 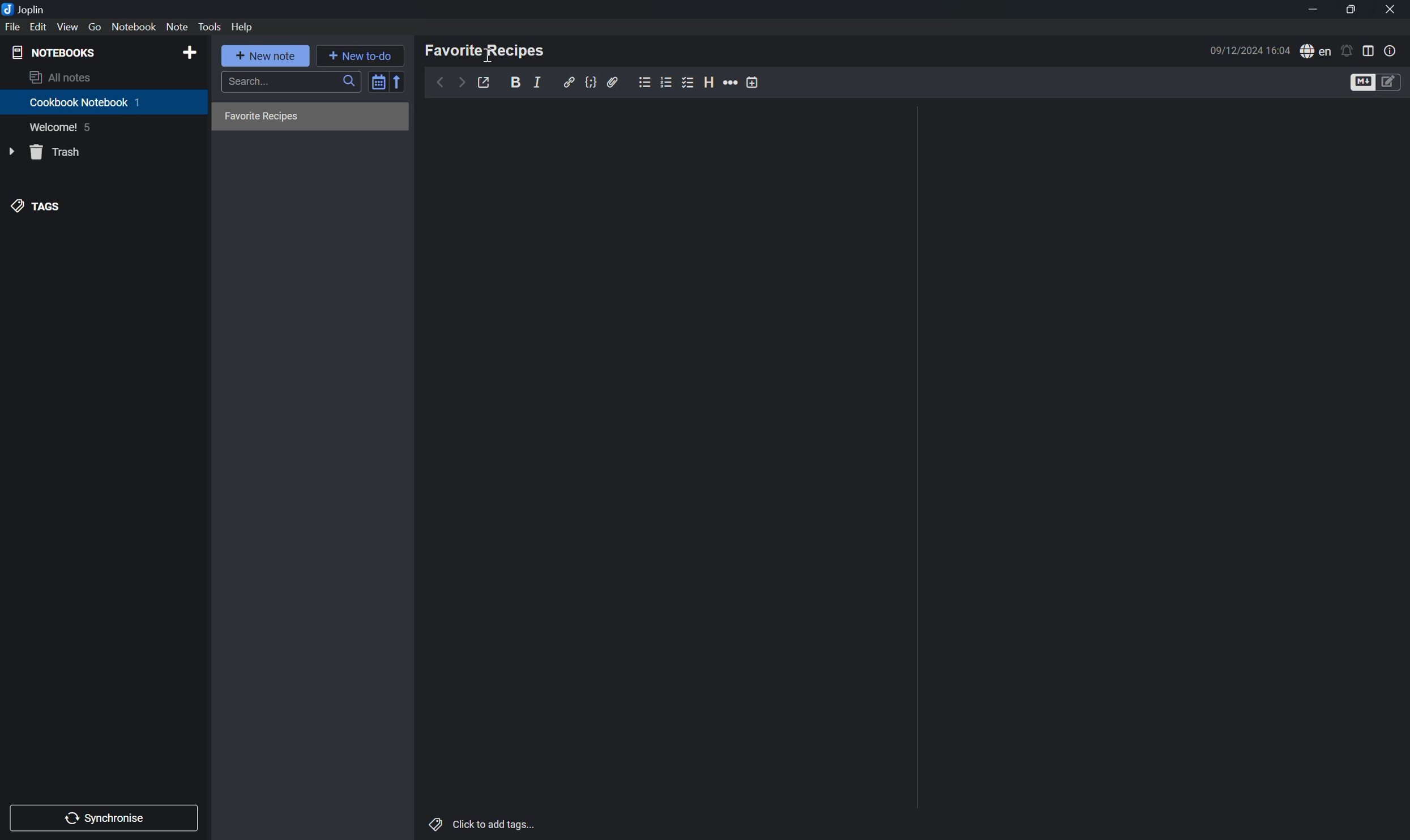 I want to click on close, so click(x=1390, y=7).